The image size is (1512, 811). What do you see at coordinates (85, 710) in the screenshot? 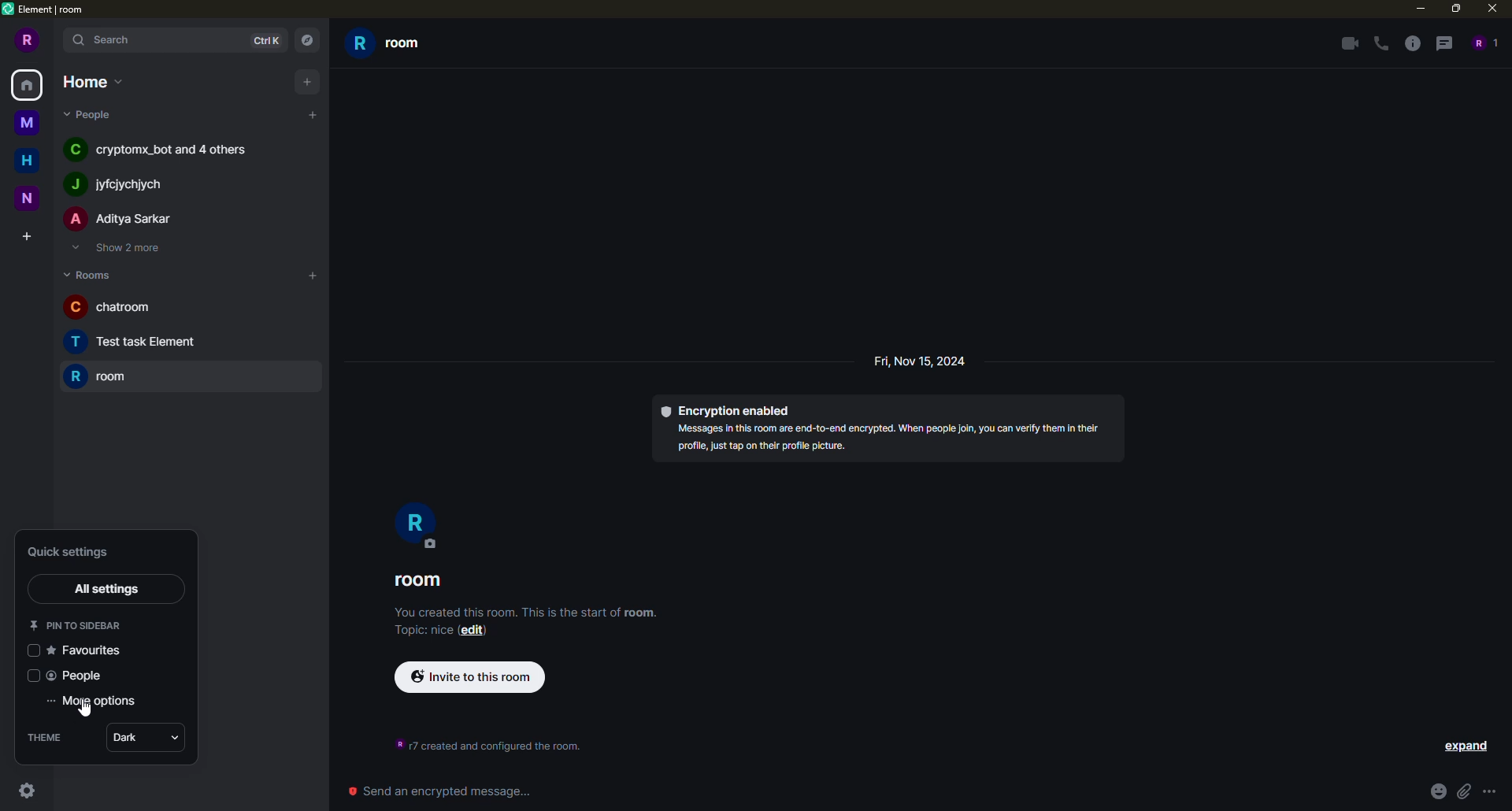
I see `cursor` at bounding box center [85, 710].